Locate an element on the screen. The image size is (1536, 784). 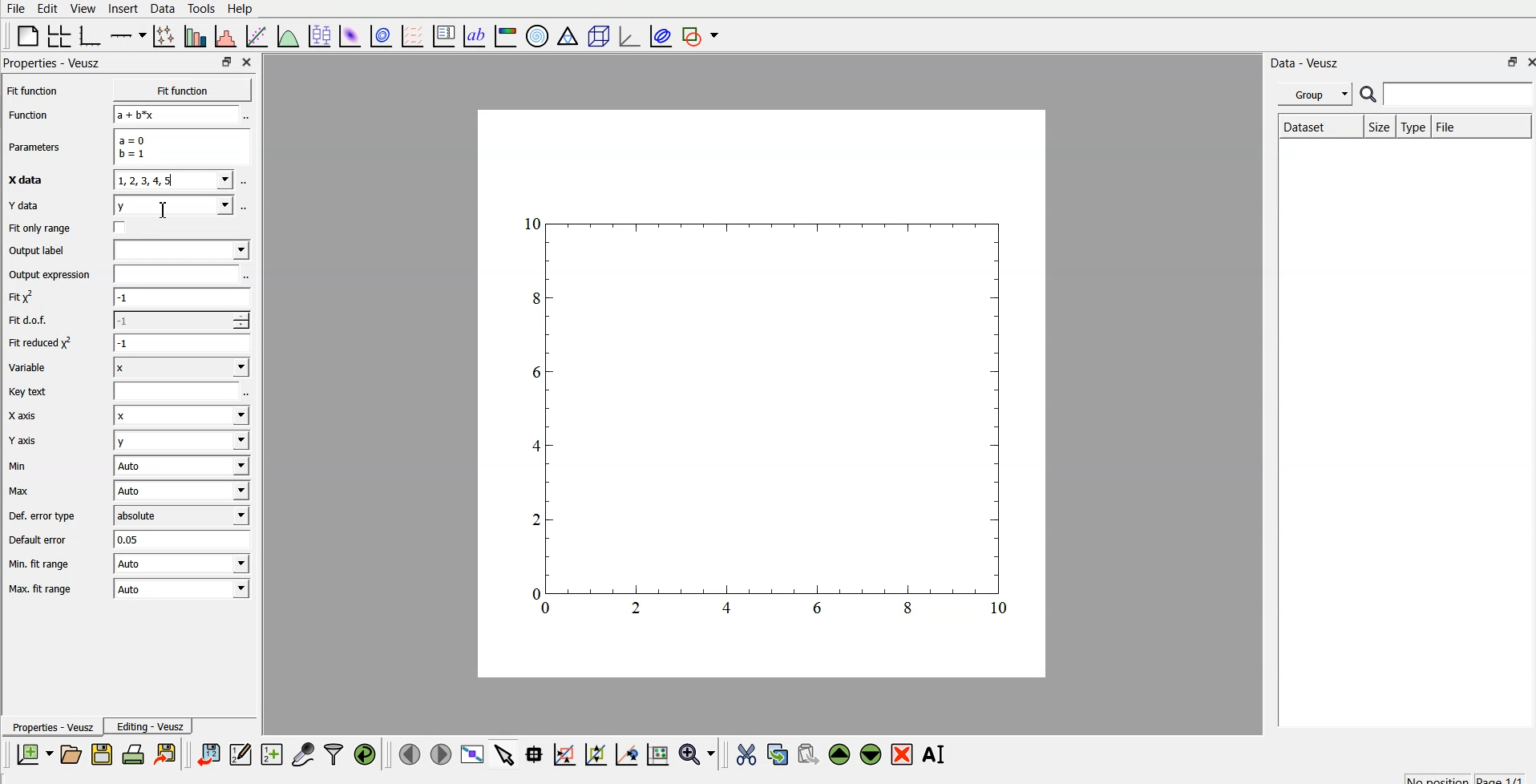
file is located at coordinates (1478, 126).